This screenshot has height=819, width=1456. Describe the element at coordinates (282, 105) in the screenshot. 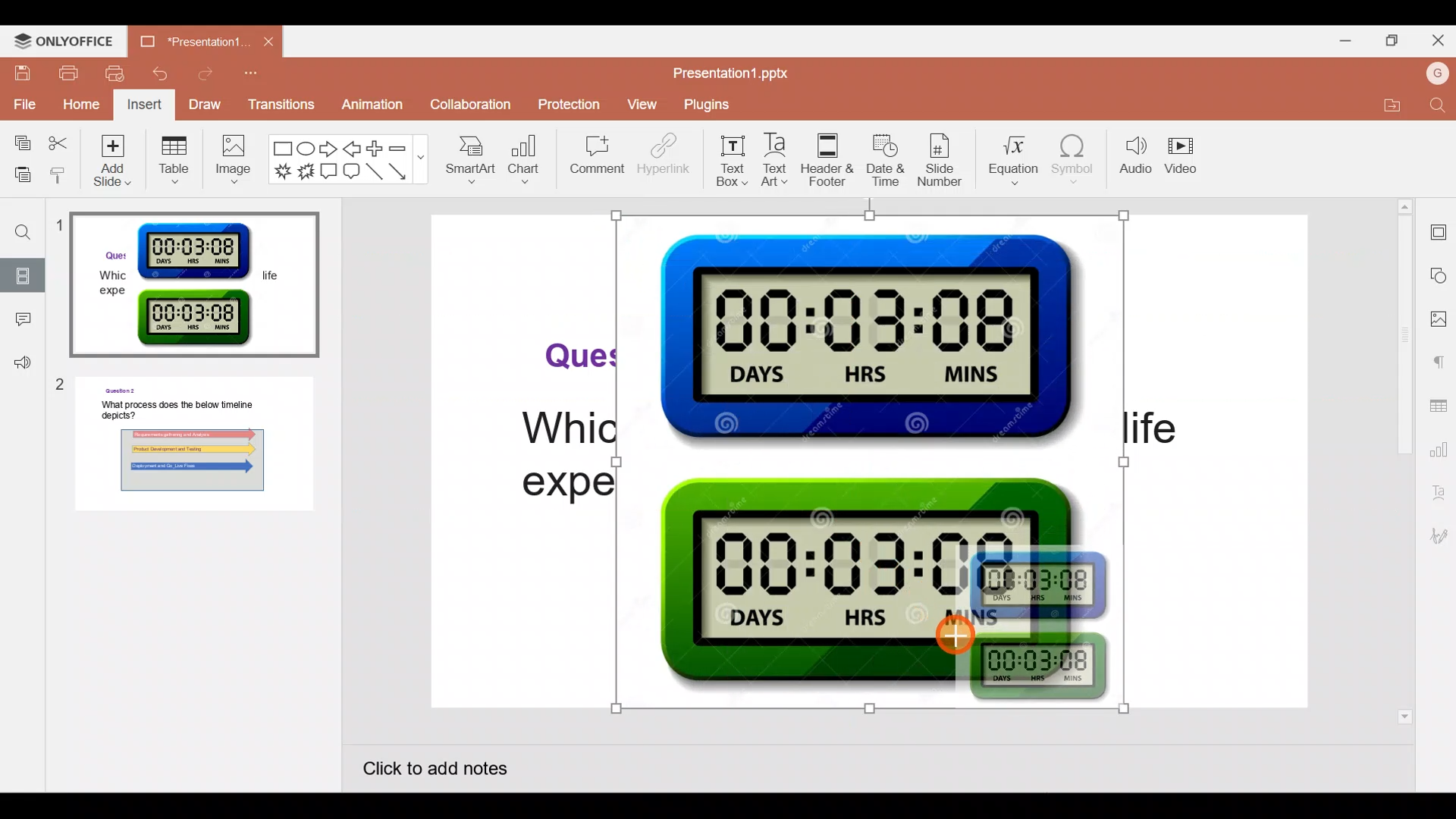

I see `Transitions` at that location.